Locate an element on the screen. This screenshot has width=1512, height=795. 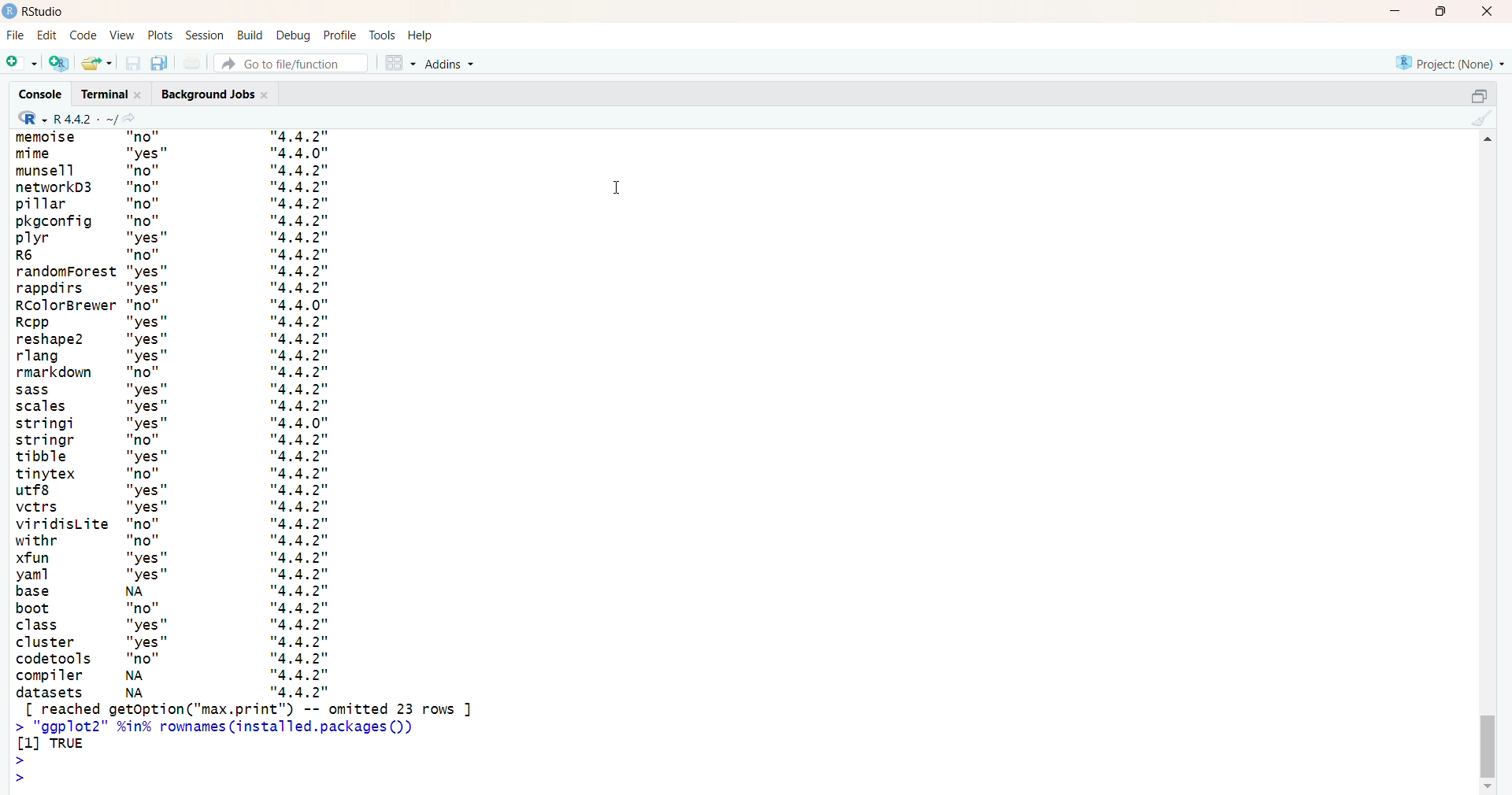
edit is located at coordinates (48, 35).